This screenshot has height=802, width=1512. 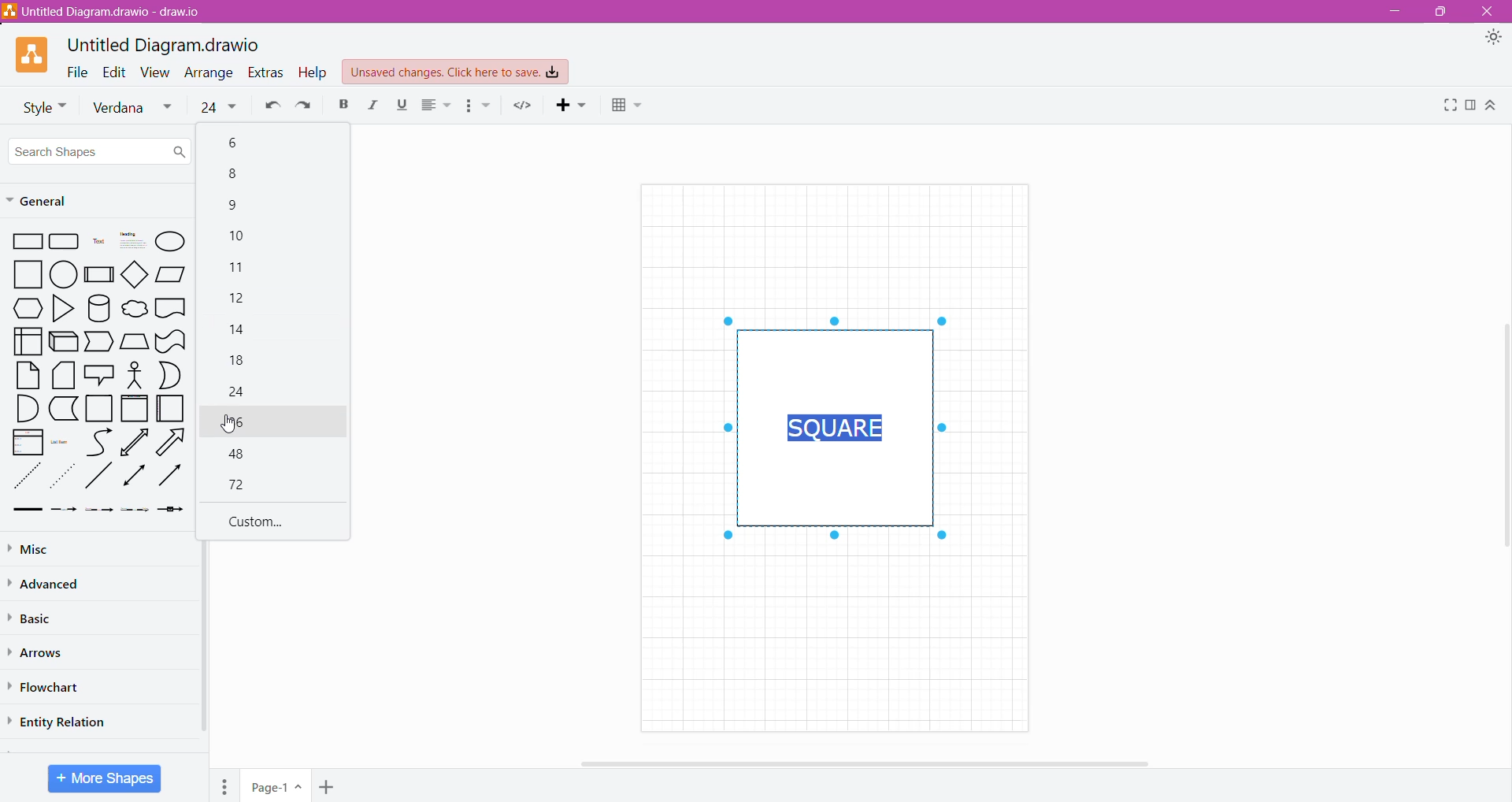 What do you see at coordinates (343, 106) in the screenshot?
I see `Bold` at bounding box center [343, 106].